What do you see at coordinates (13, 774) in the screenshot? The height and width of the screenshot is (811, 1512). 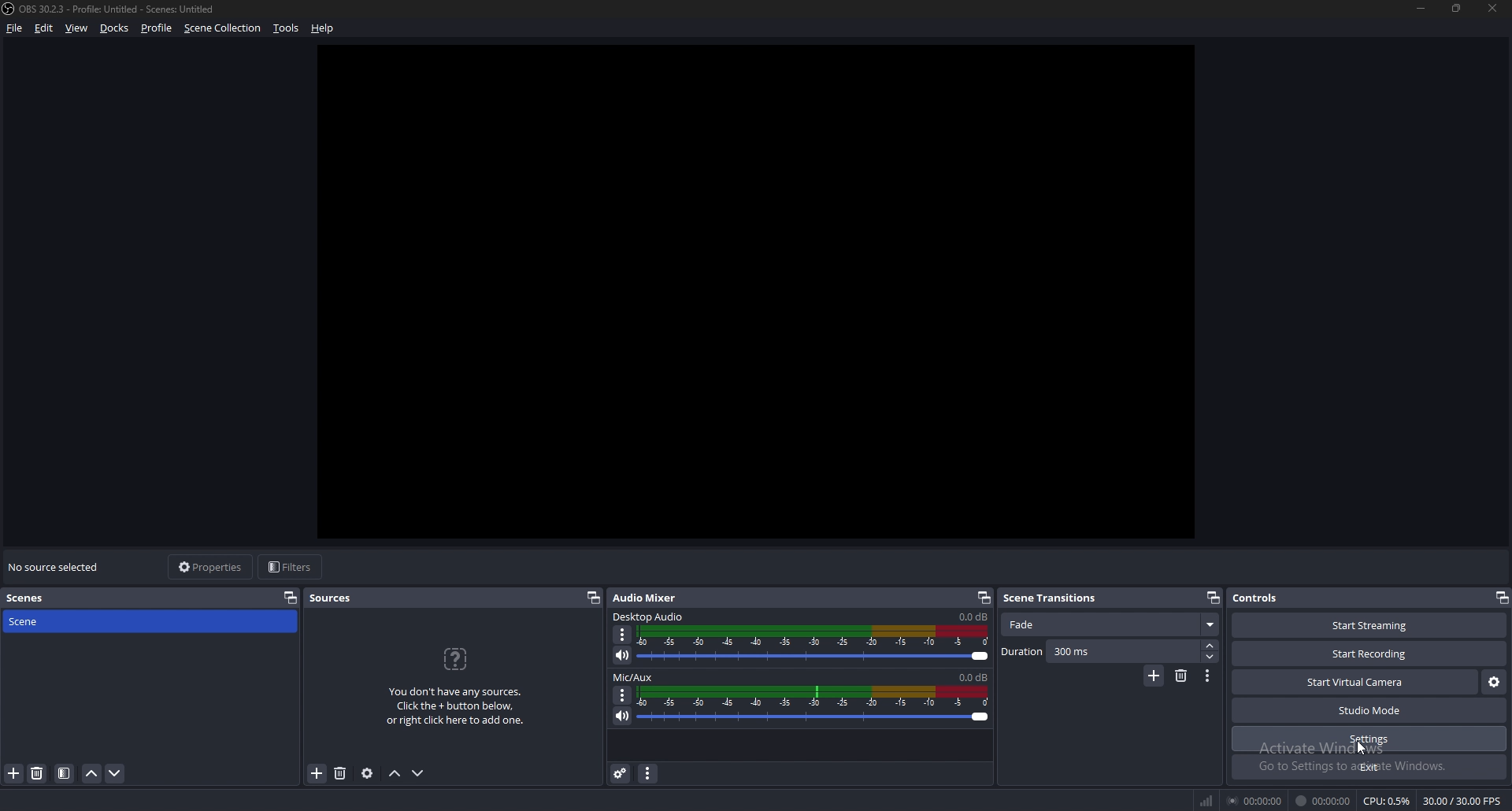 I see `add scene` at bounding box center [13, 774].